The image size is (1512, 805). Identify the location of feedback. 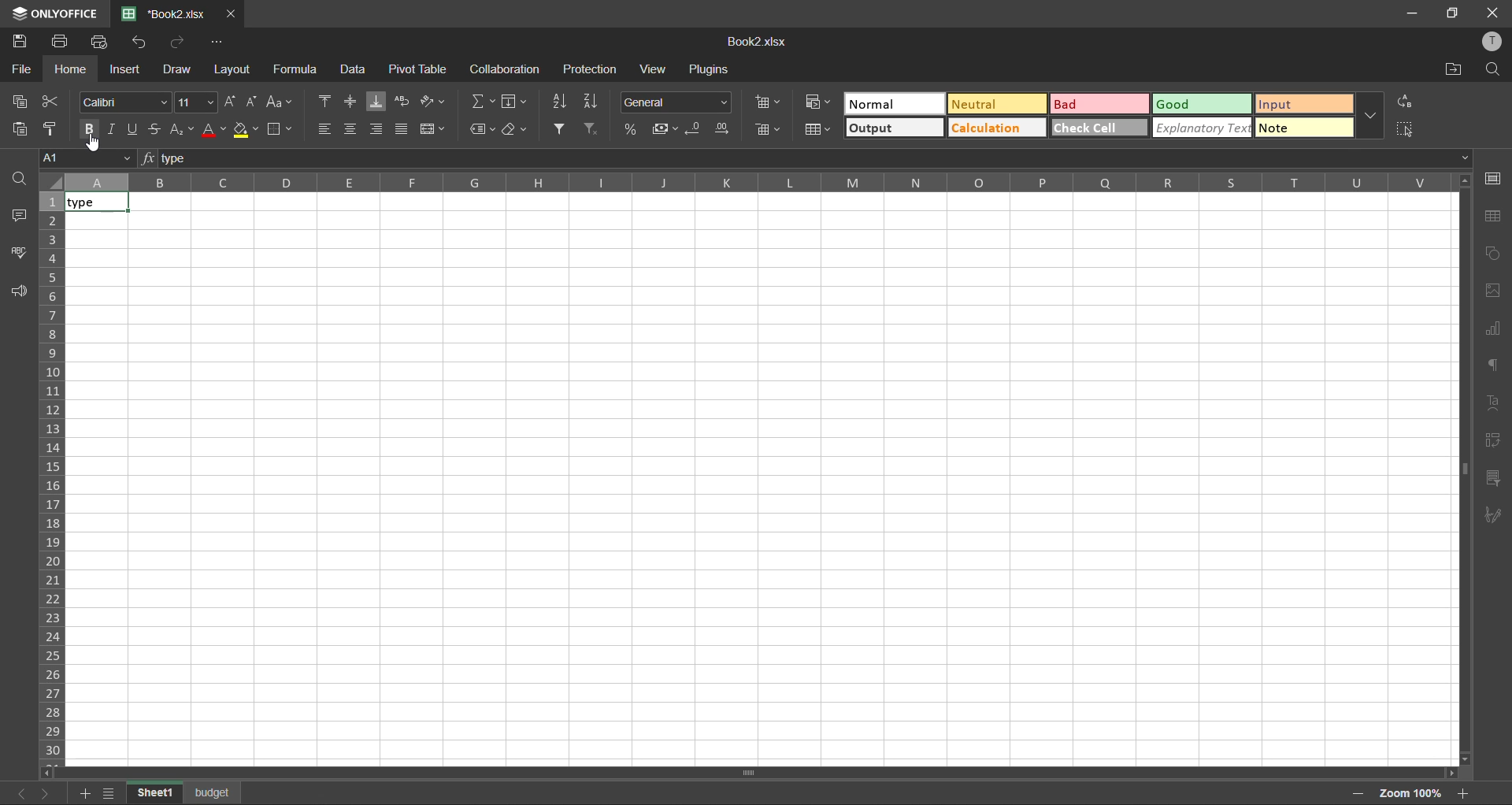
(18, 290).